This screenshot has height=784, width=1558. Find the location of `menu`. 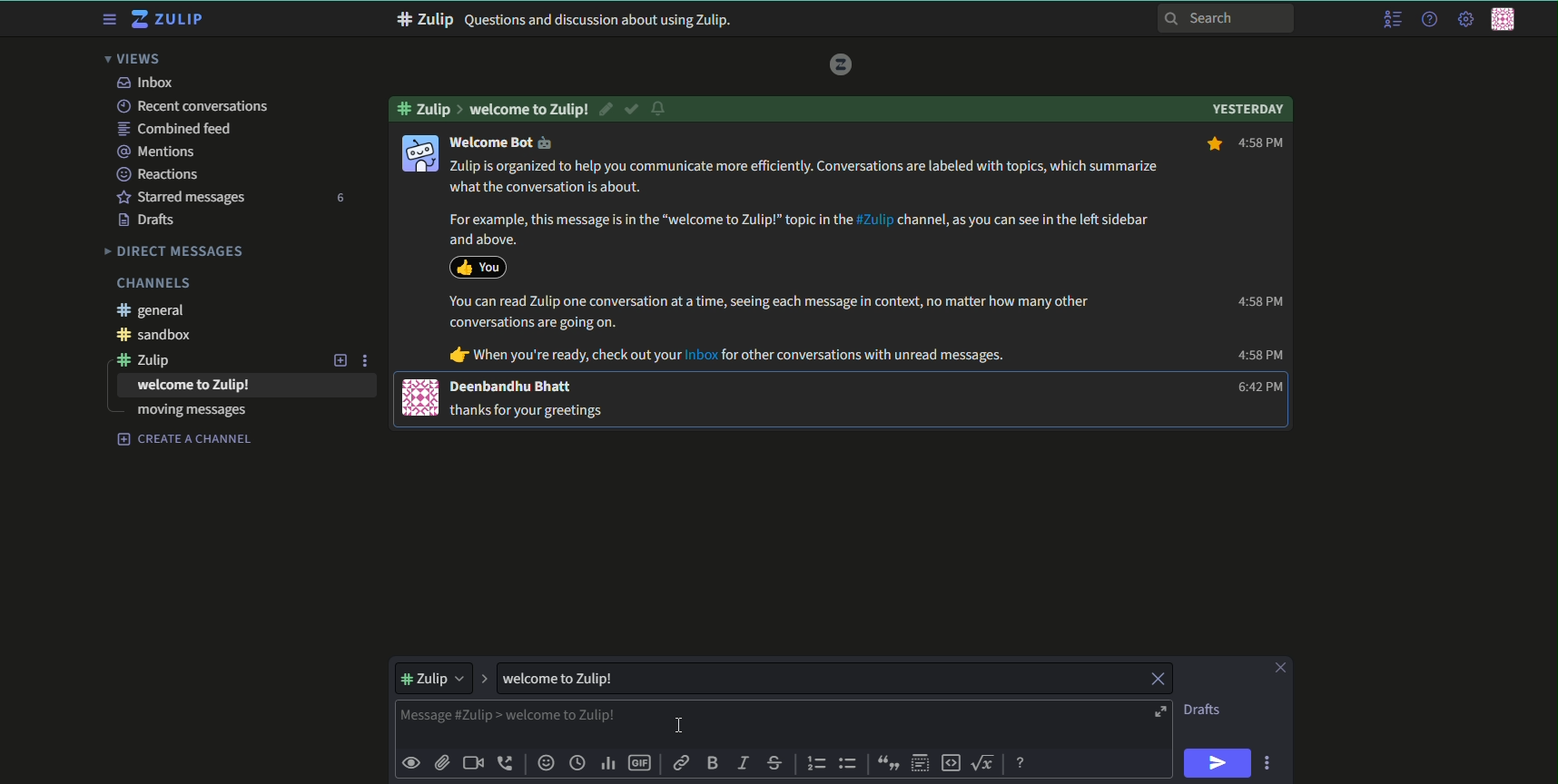

menu is located at coordinates (1391, 20).